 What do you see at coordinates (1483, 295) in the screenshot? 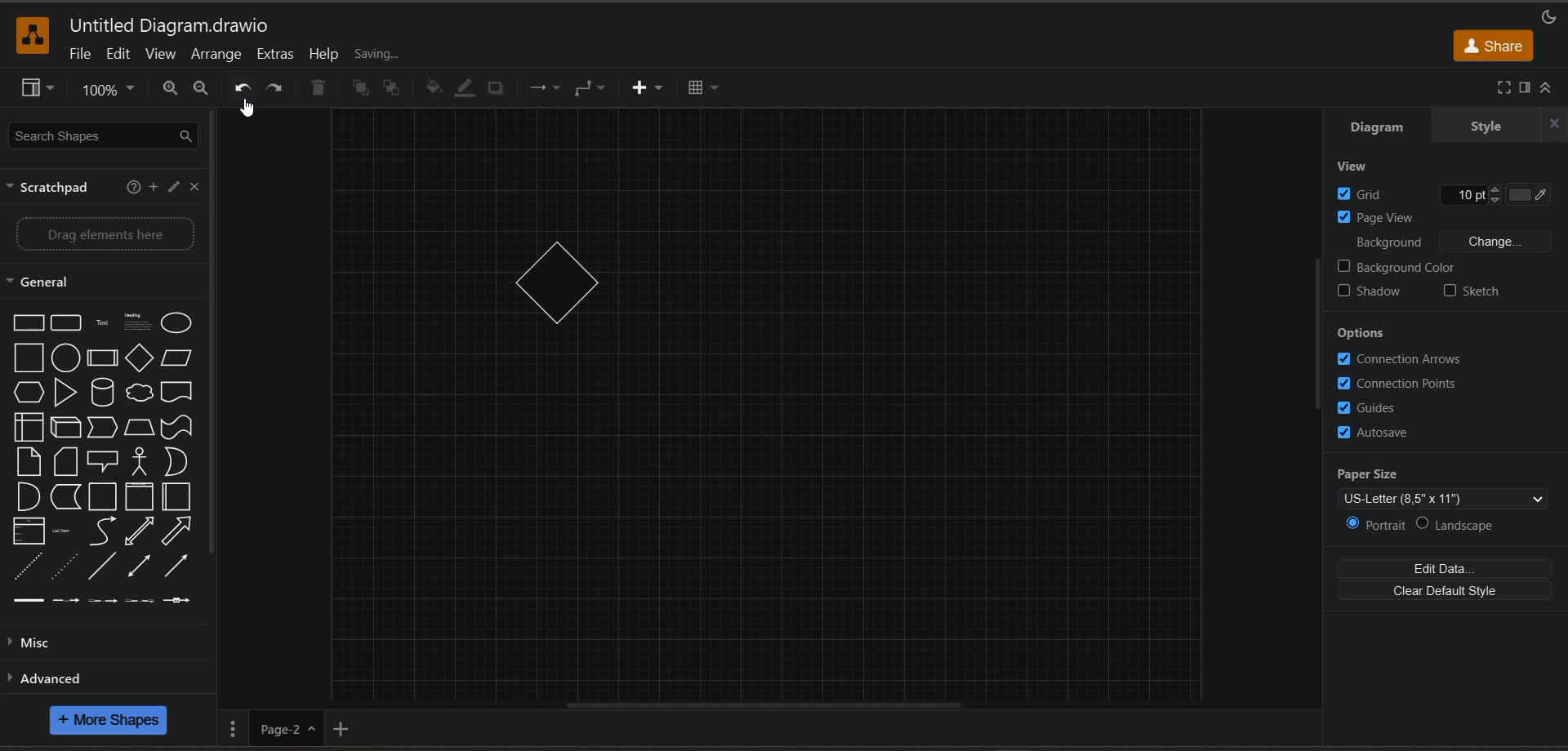
I see `sketch` at bounding box center [1483, 295].